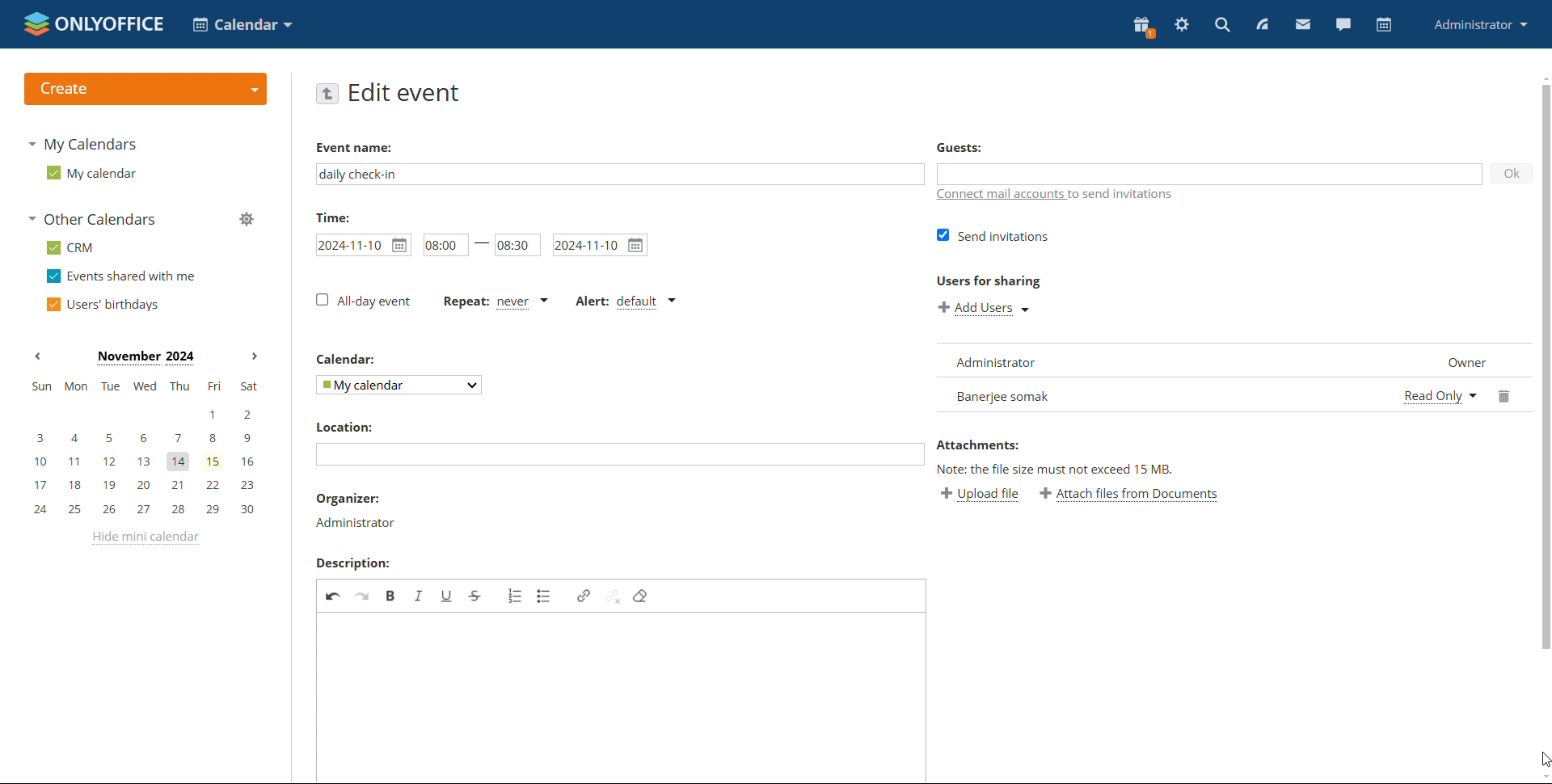  I want to click on insert/remove bulleted list, so click(545, 596).